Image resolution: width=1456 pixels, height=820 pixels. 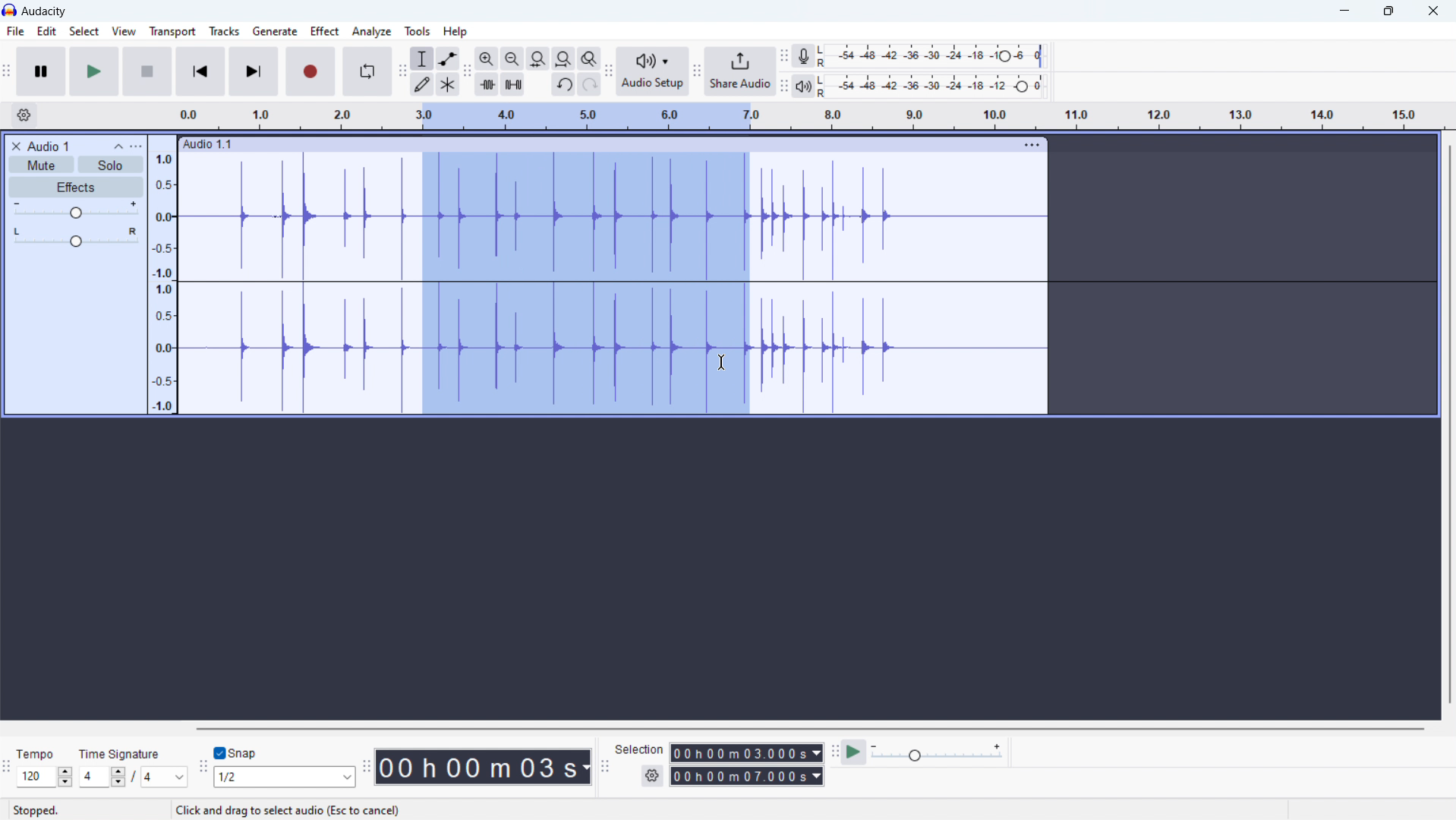 What do you see at coordinates (310, 71) in the screenshot?
I see `record` at bounding box center [310, 71].